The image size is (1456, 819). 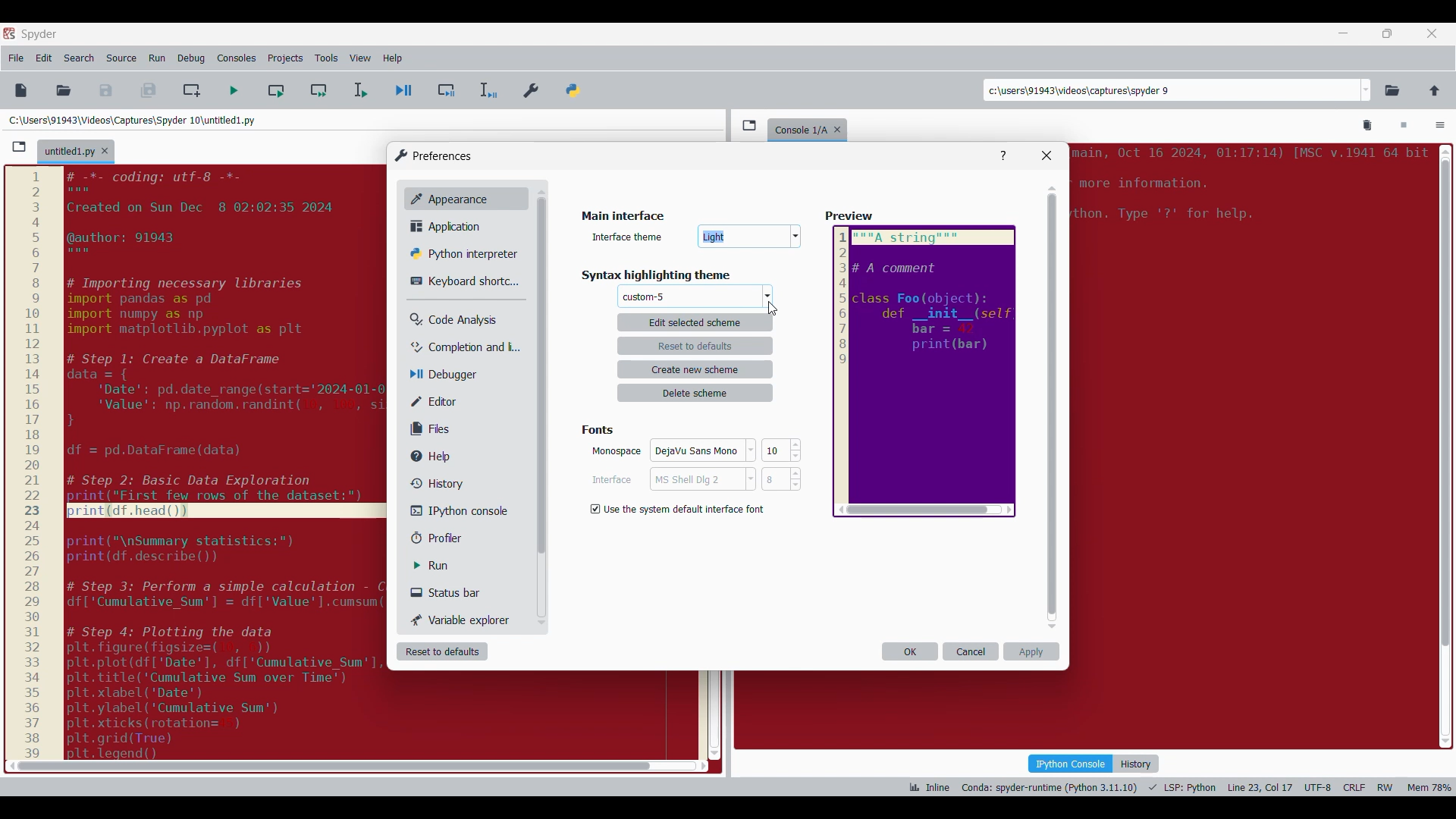 What do you see at coordinates (392, 58) in the screenshot?
I see `Help menu` at bounding box center [392, 58].